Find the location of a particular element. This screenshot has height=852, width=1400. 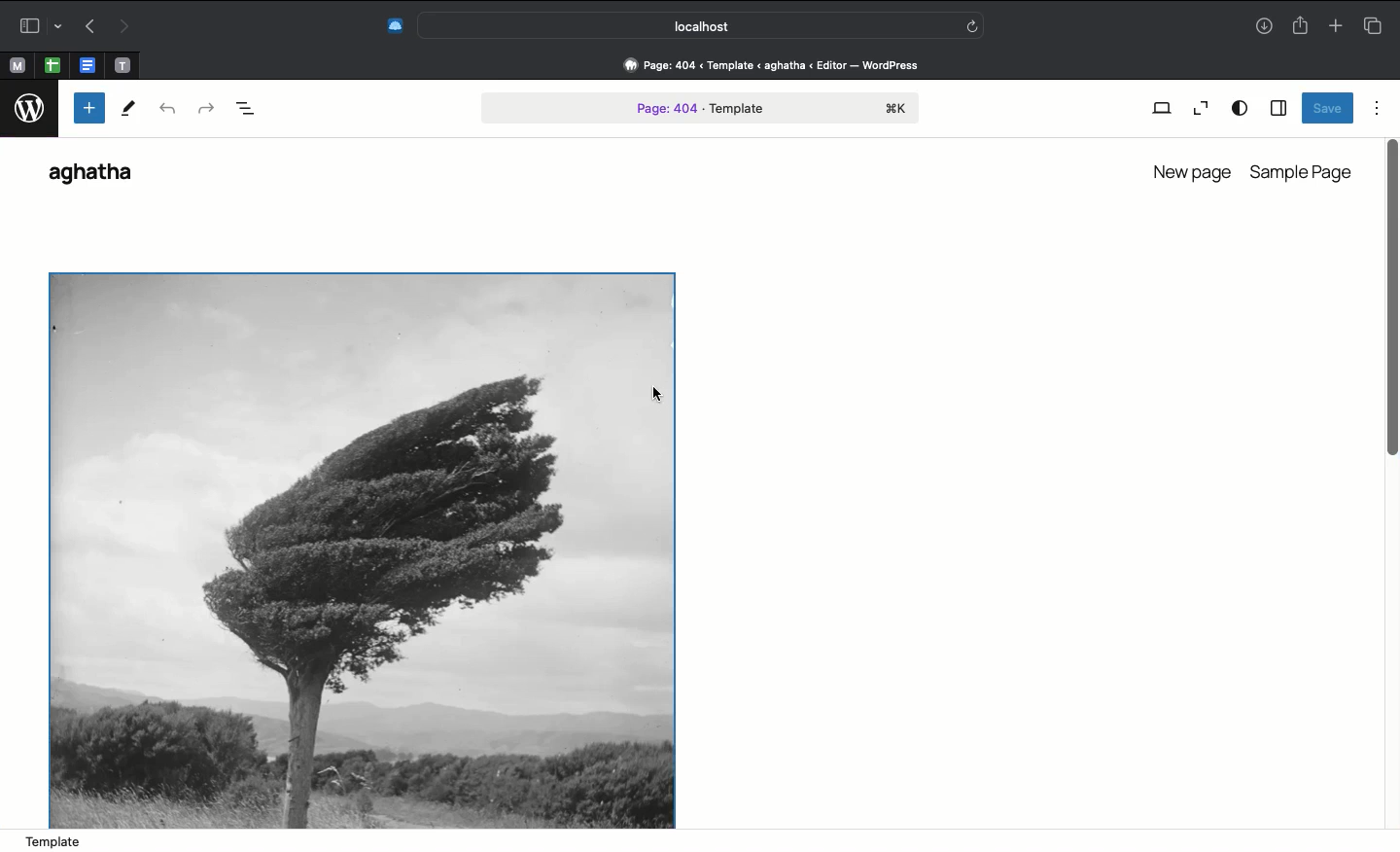

WordPress name is located at coordinates (100, 175).